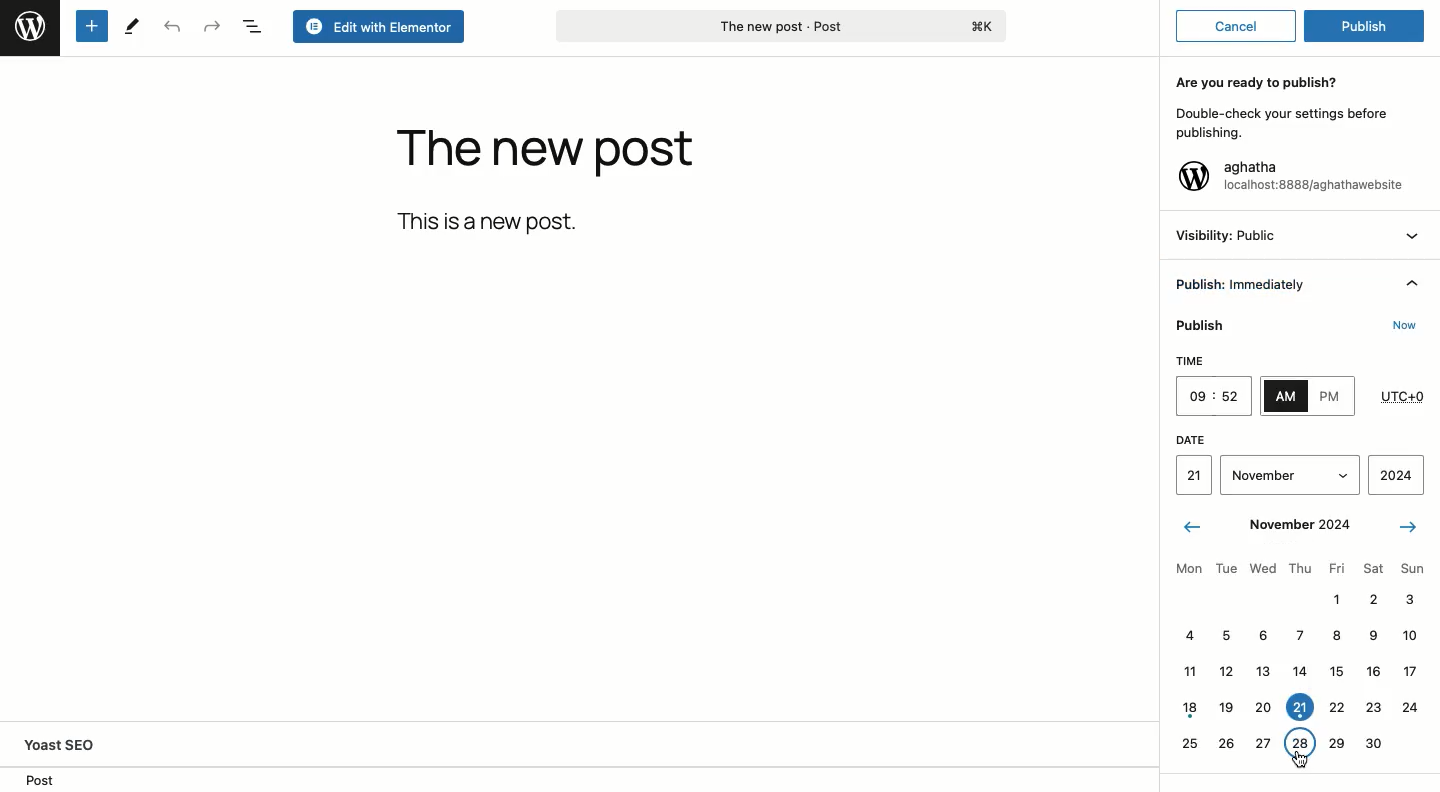 The image size is (1440, 792). What do you see at coordinates (1296, 568) in the screenshot?
I see `Mon Tue Wed Thu Fri Sat Sun` at bounding box center [1296, 568].